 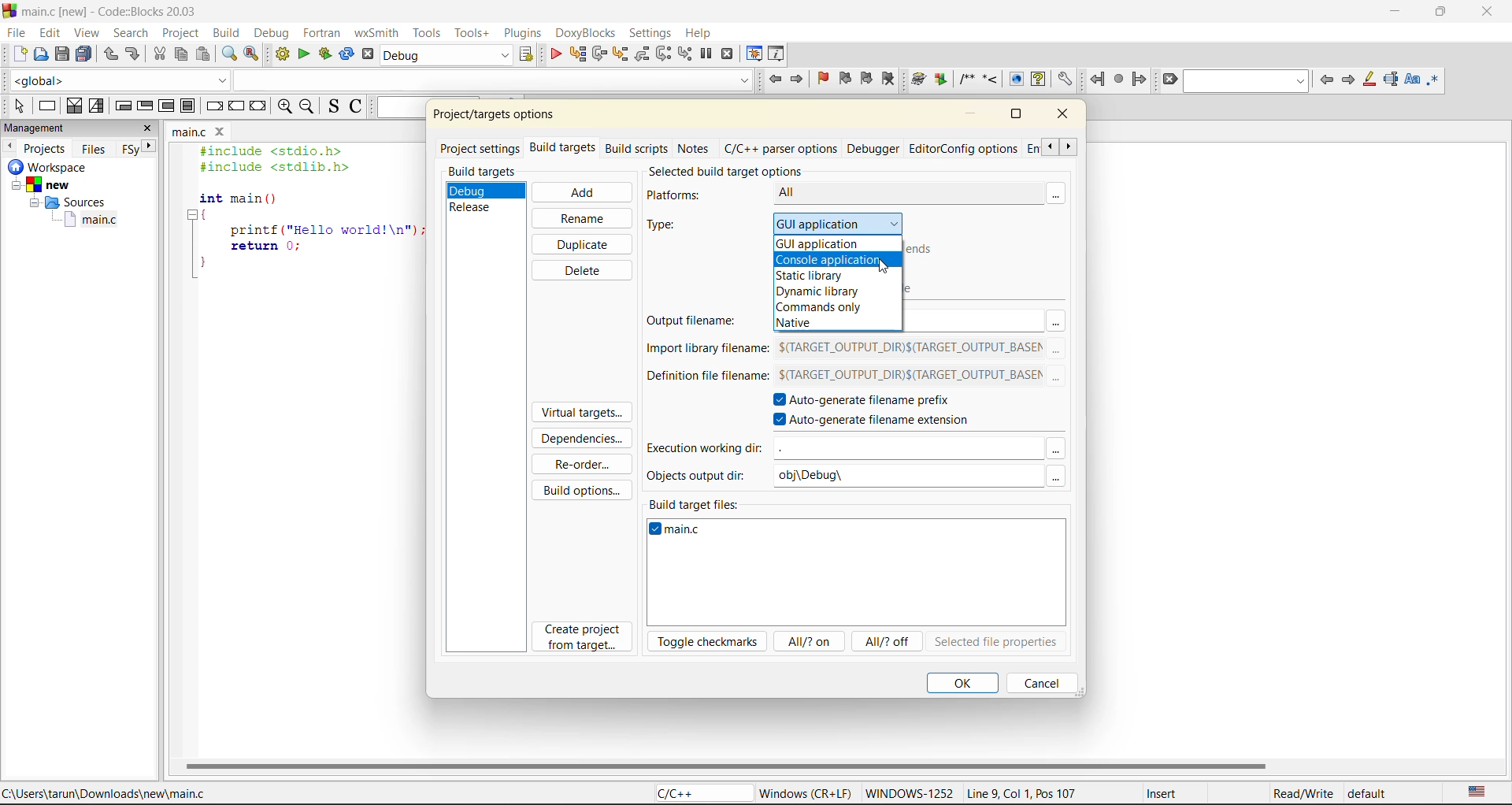 I want to click on selected file properties, so click(x=995, y=643).